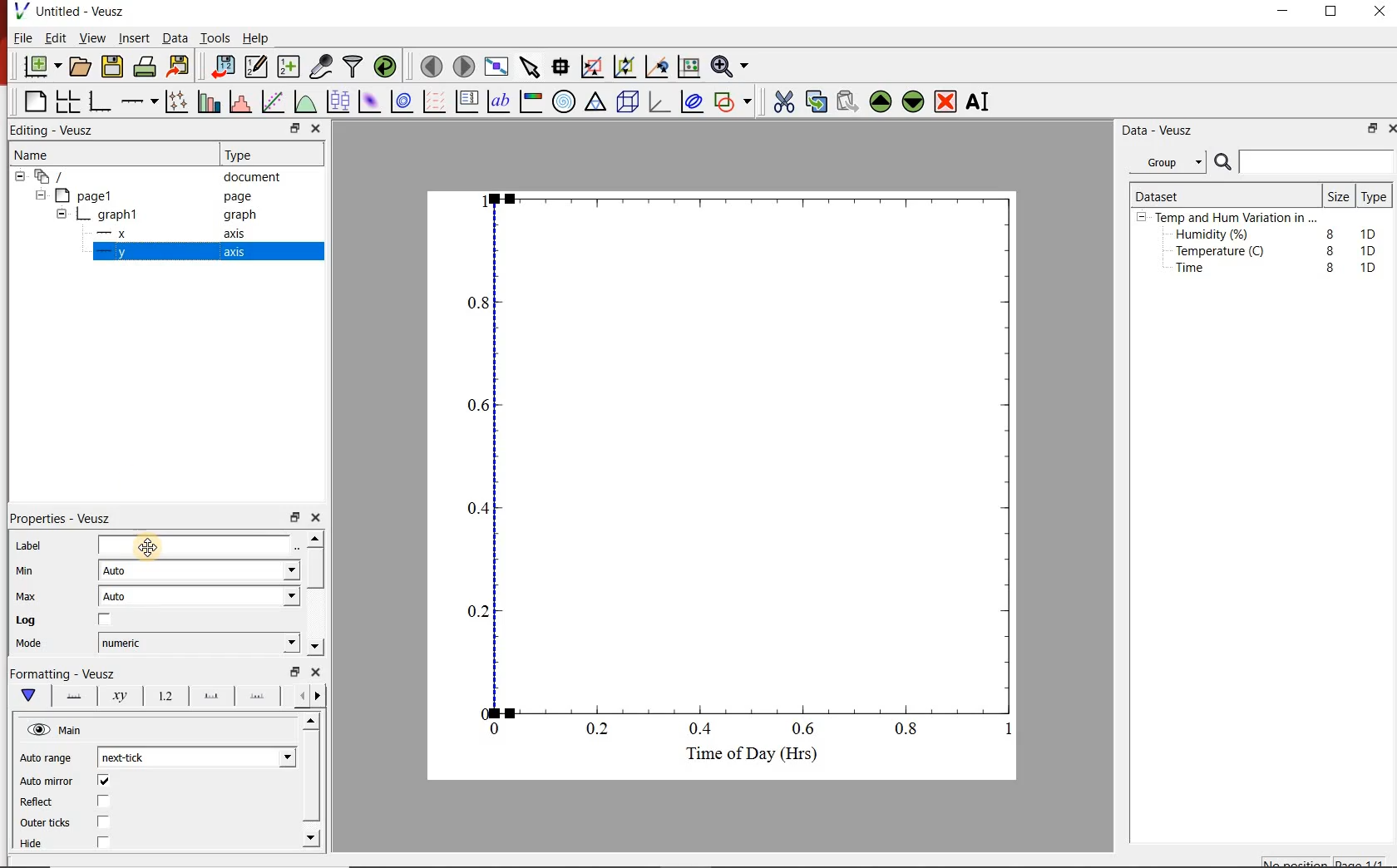 This screenshot has width=1397, height=868. Describe the element at coordinates (804, 728) in the screenshot. I see `0.6` at that location.